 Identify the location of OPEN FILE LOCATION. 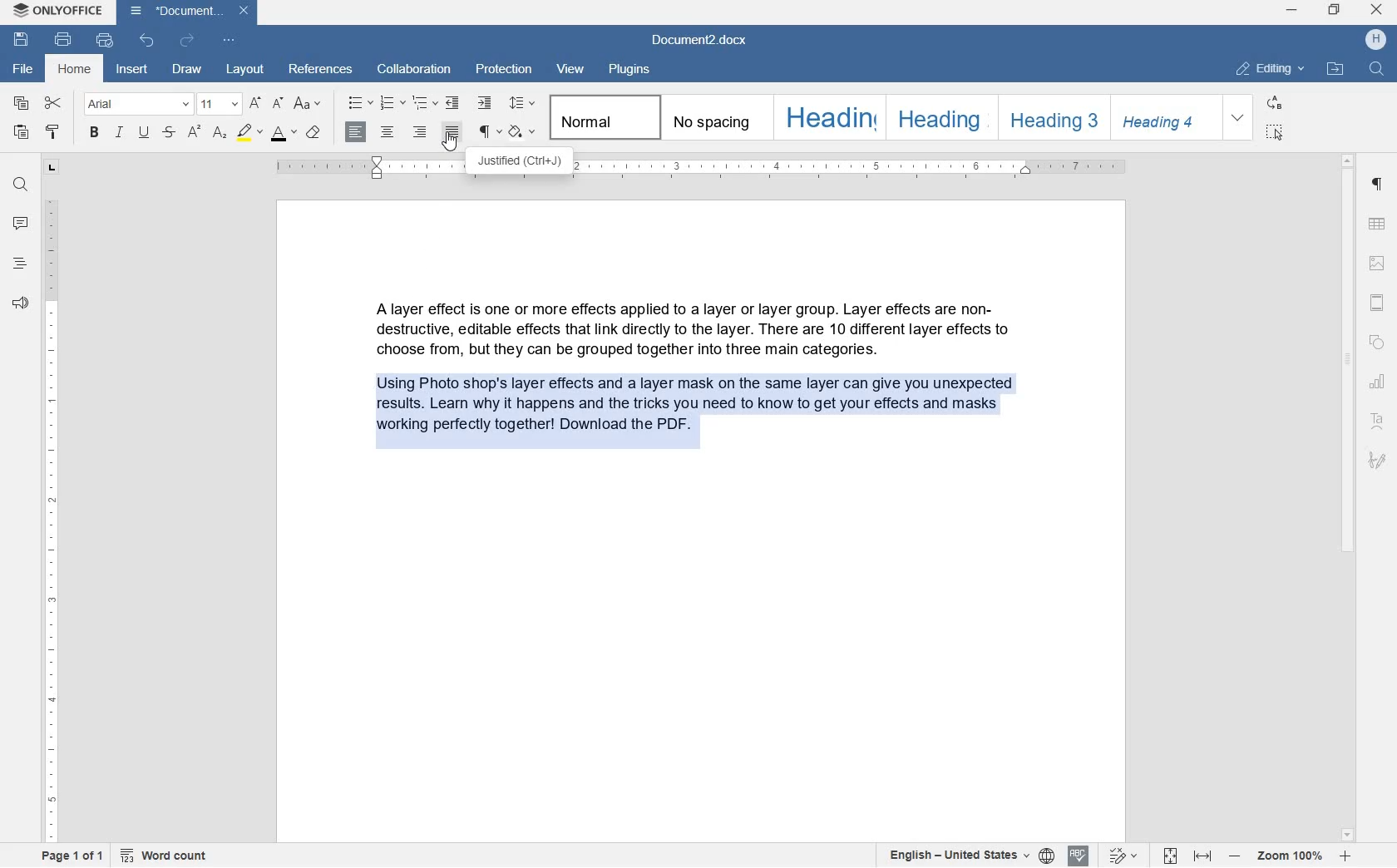
(1335, 71).